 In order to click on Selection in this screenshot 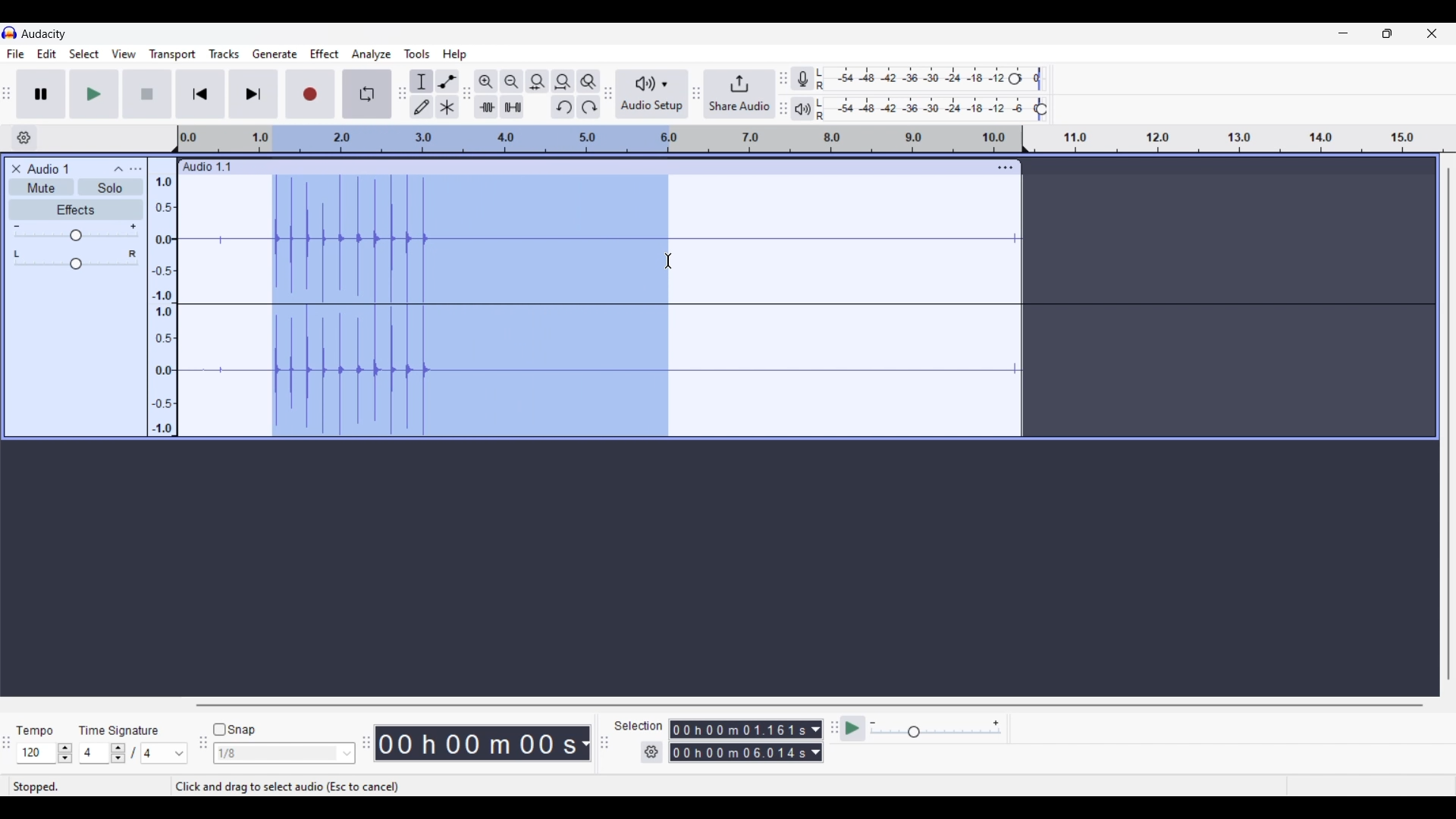, I will do `click(639, 726)`.